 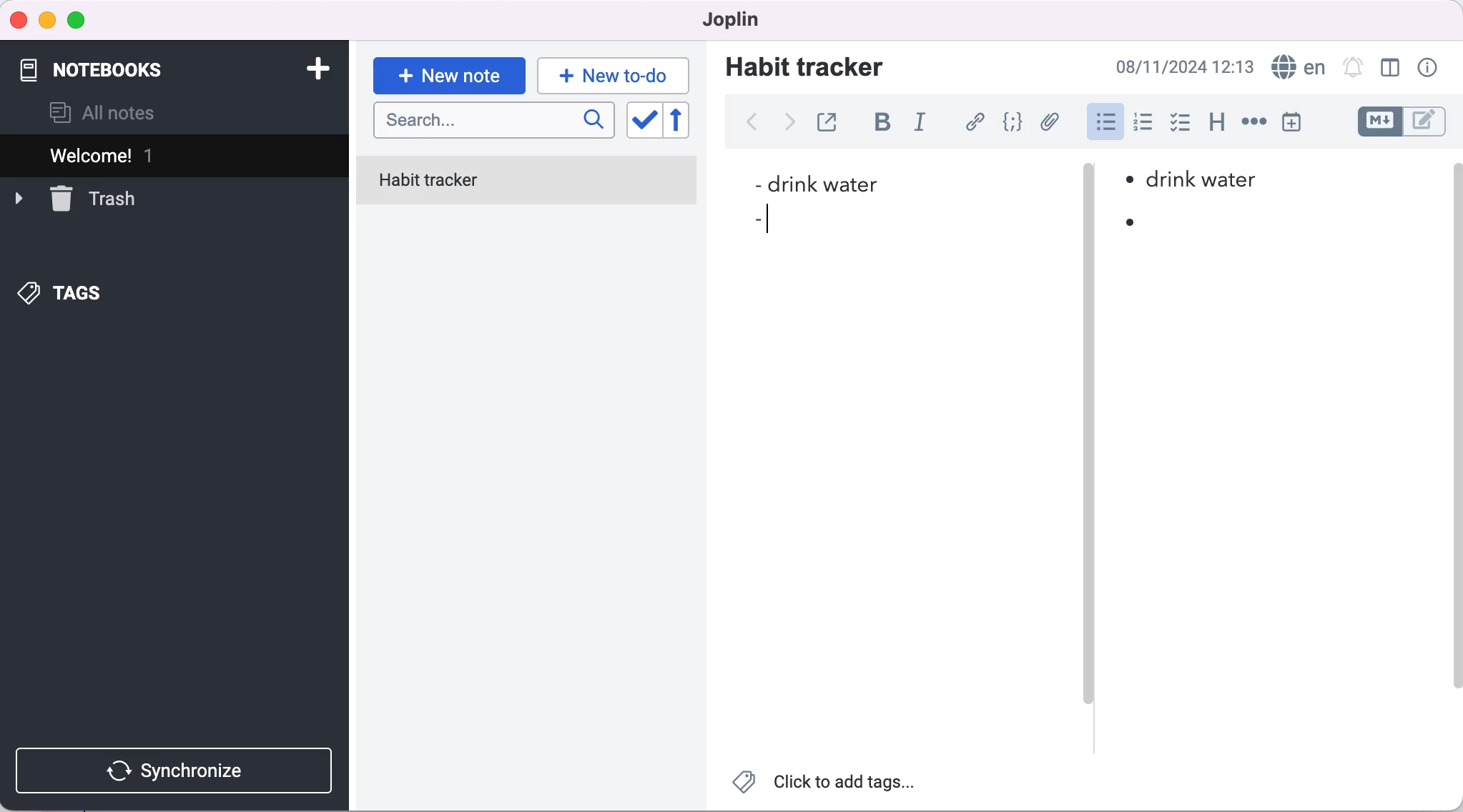 What do you see at coordinates (1404, 122) in the screenshot?
I see `toggle editors` at bounding box center [1404, 122].